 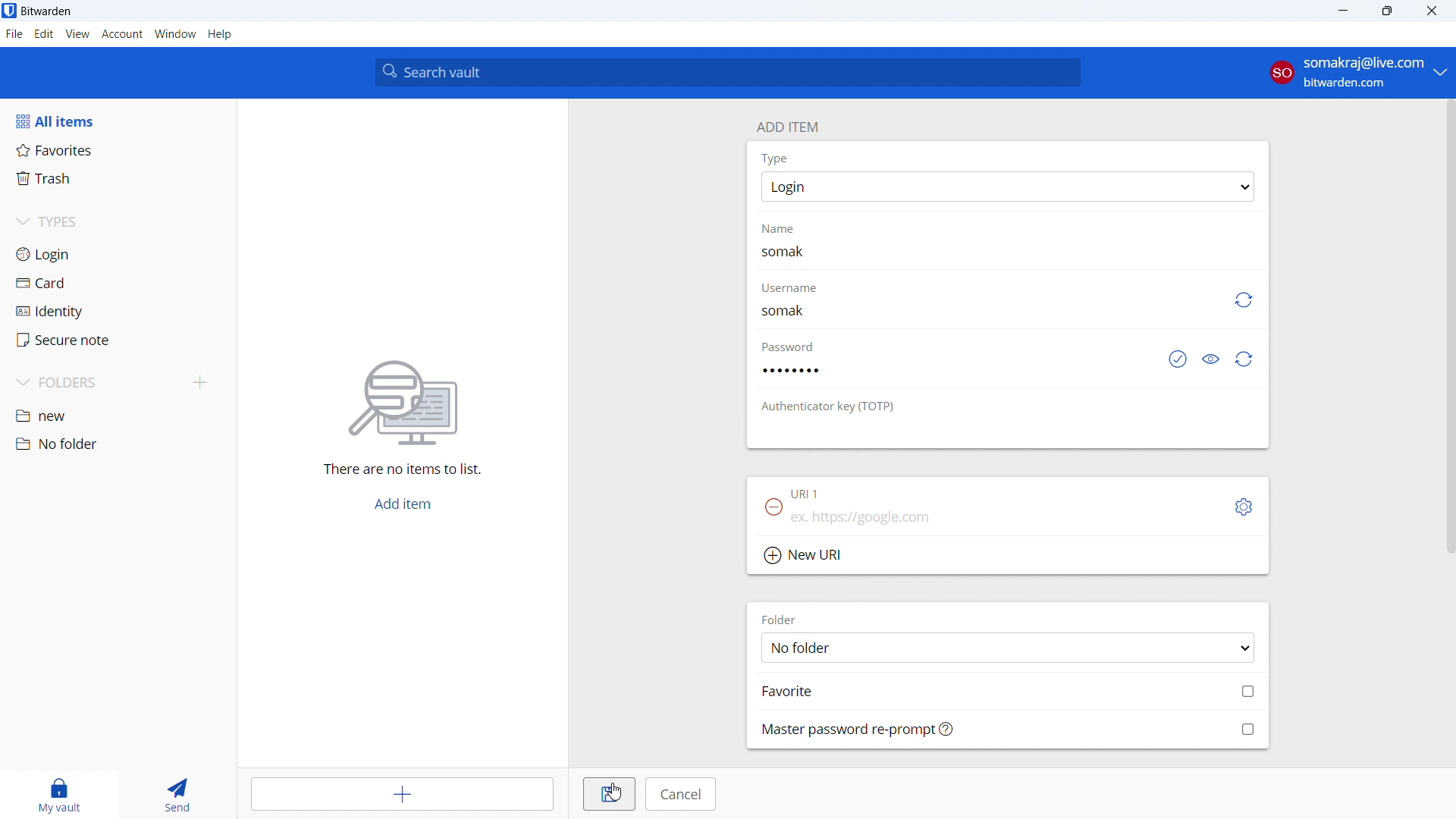 What do you see at coordinates (175, 34) in the screenshot?
I see `window` at bounding box center [175, 34].